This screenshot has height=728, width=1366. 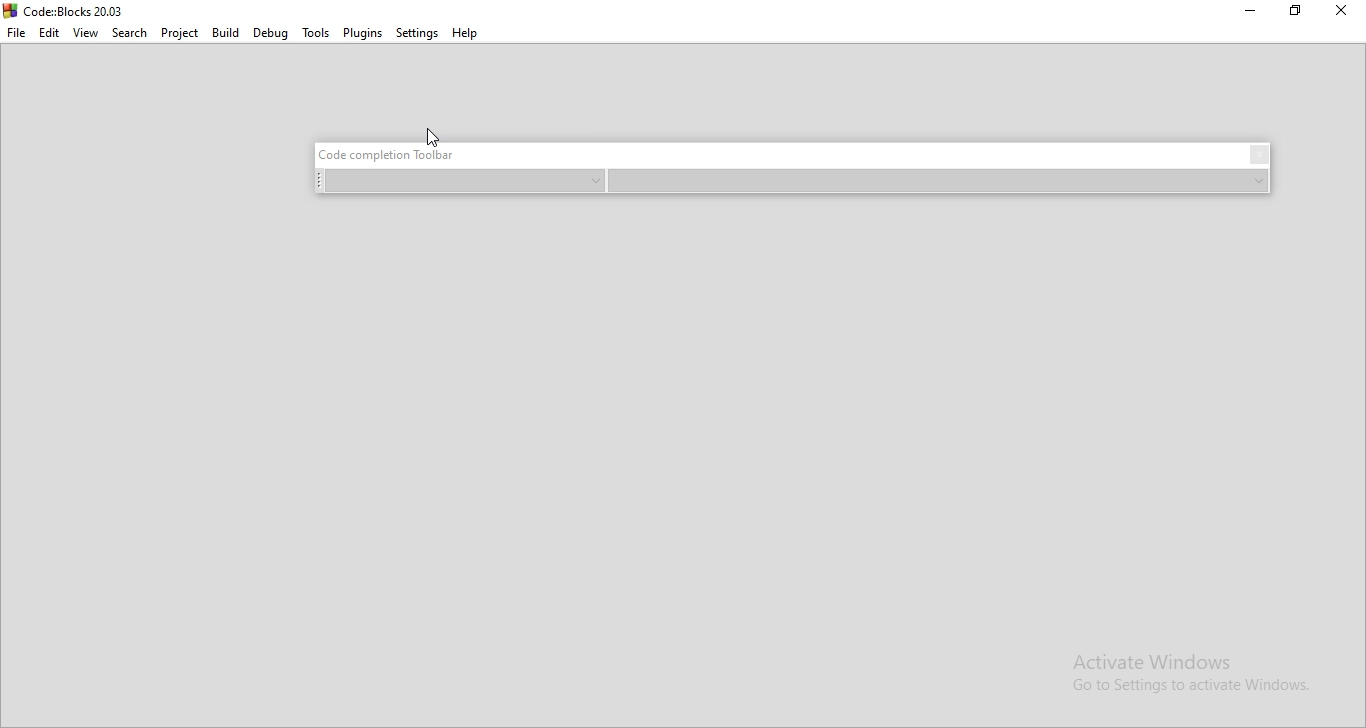 What do you see at coordinates (1341, 15) in the screenshot?
I see `Close` at bounding box center [1341, 15].